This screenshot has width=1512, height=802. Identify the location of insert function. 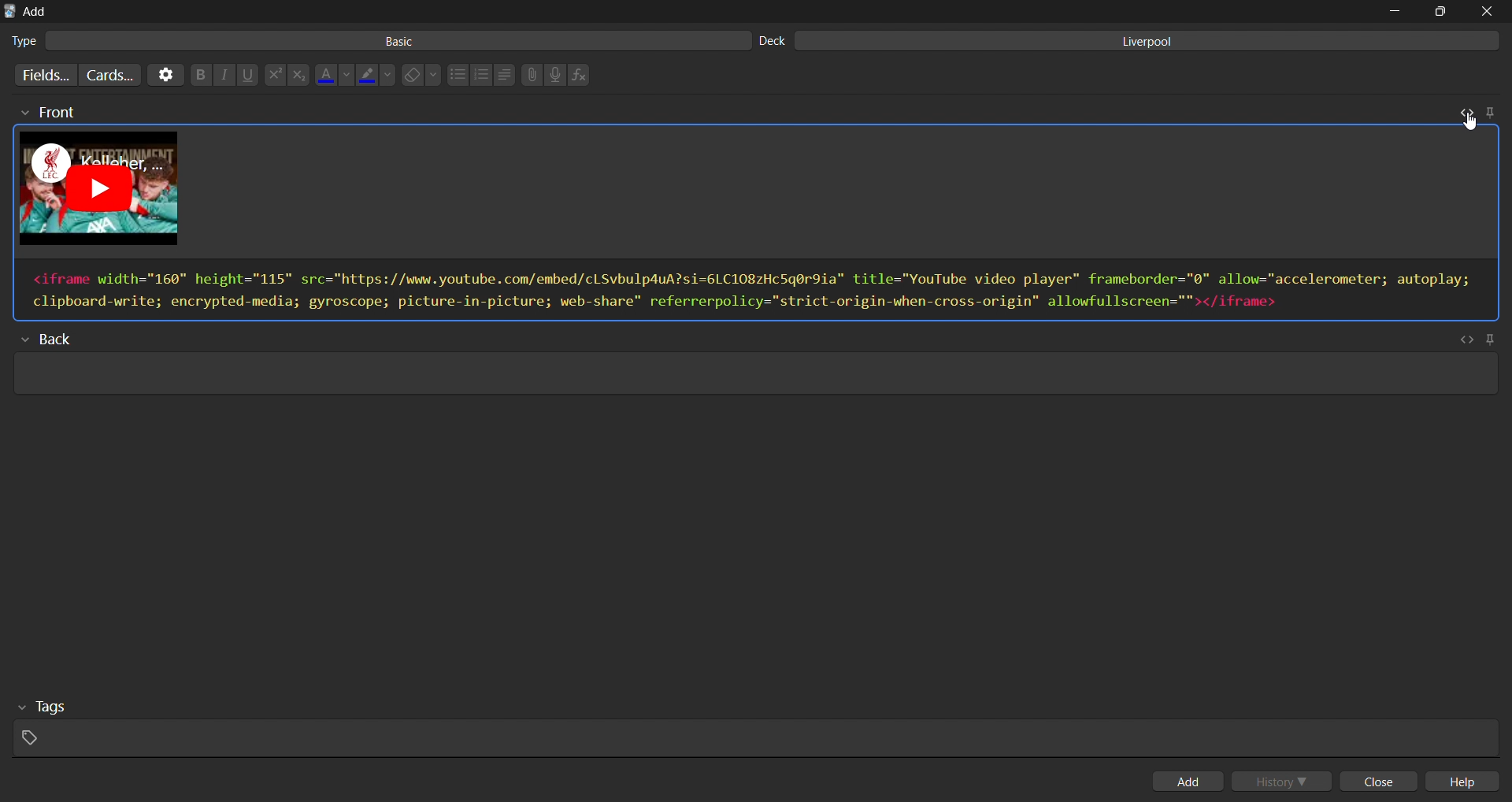
(583, 75).